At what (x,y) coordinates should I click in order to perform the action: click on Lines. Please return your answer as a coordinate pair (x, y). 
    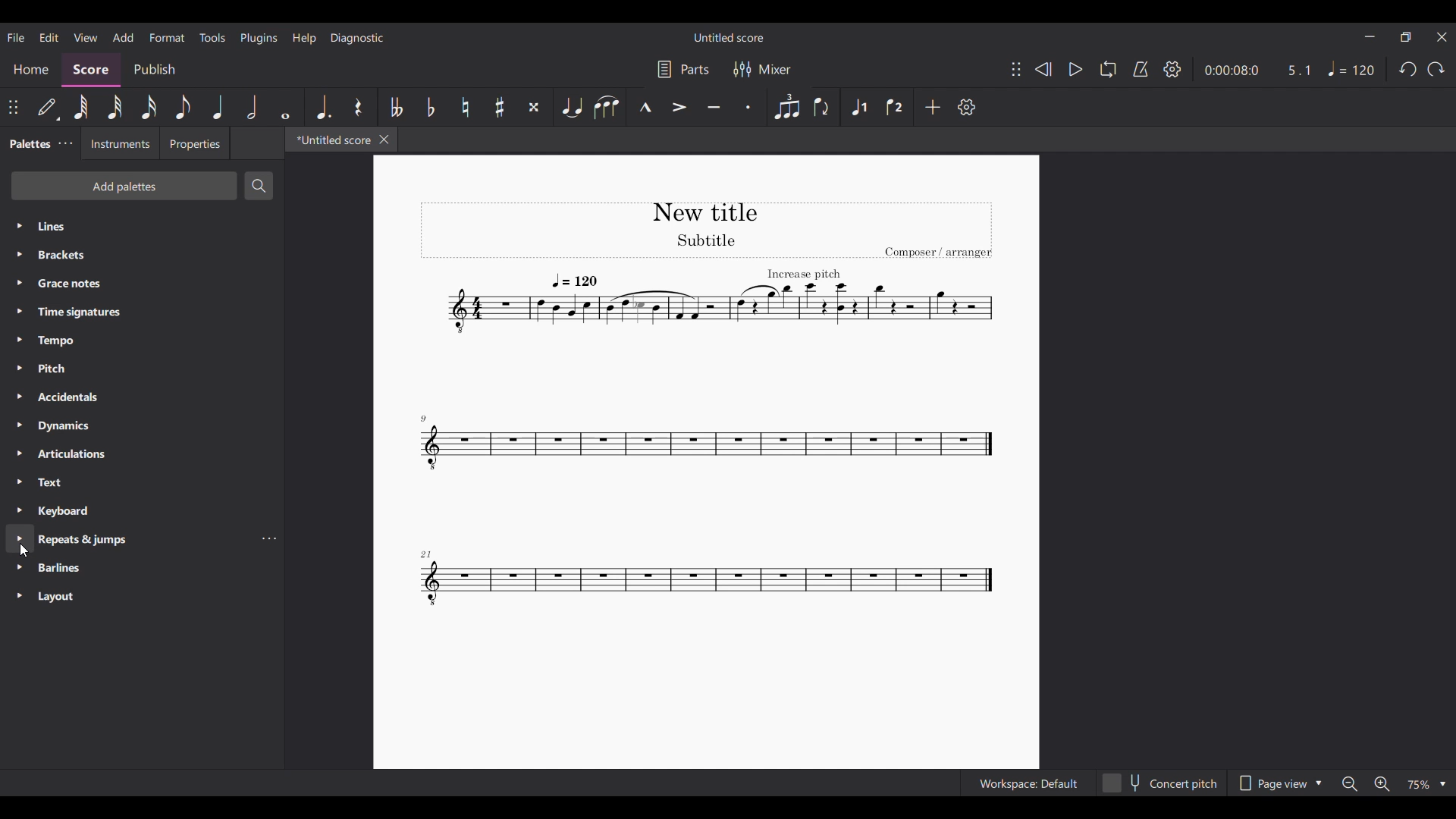
    Looking at the image, I should click on (143, 227).